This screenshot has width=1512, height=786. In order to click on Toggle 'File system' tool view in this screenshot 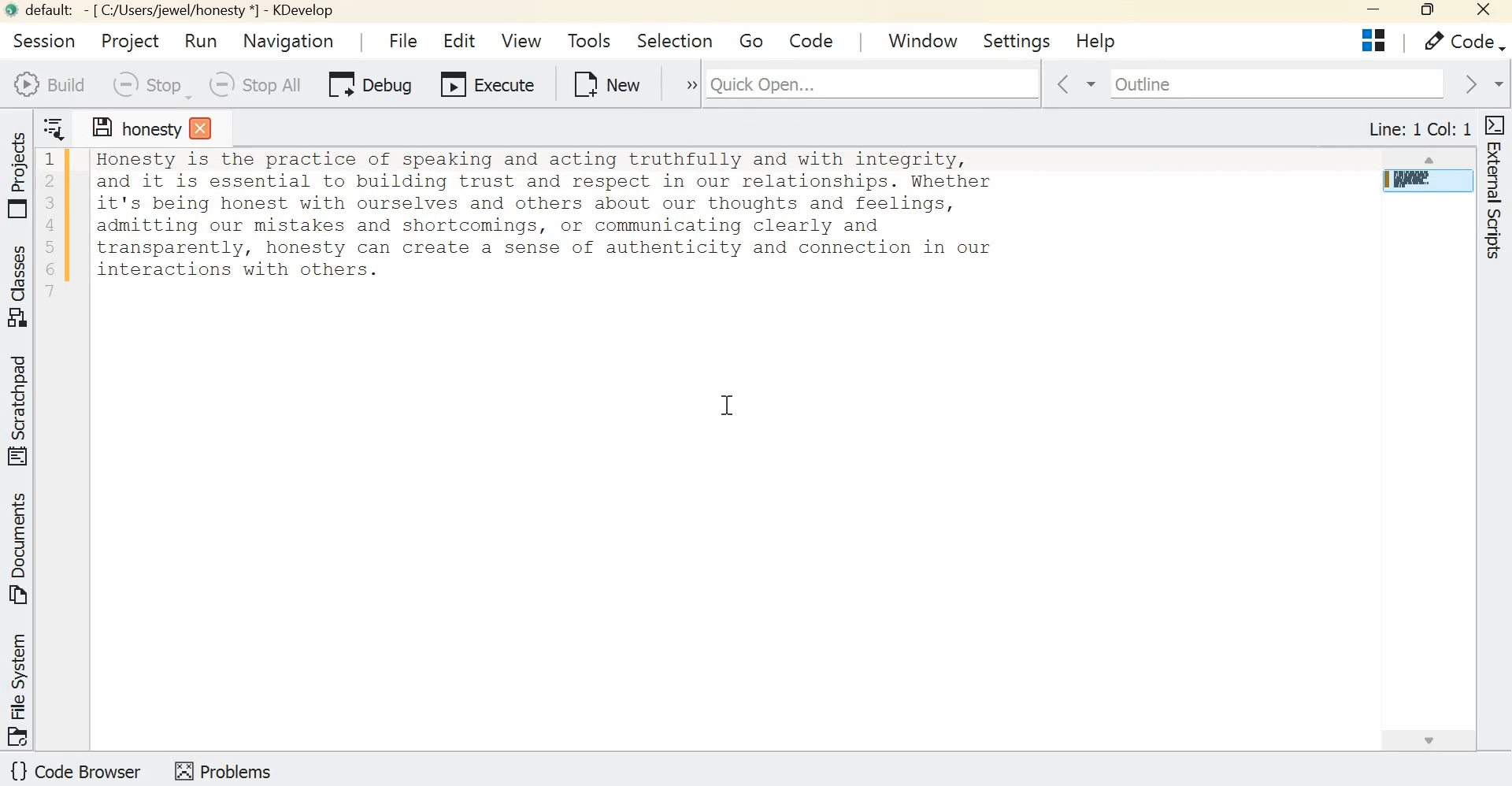, I will do `click(20, 688)`.